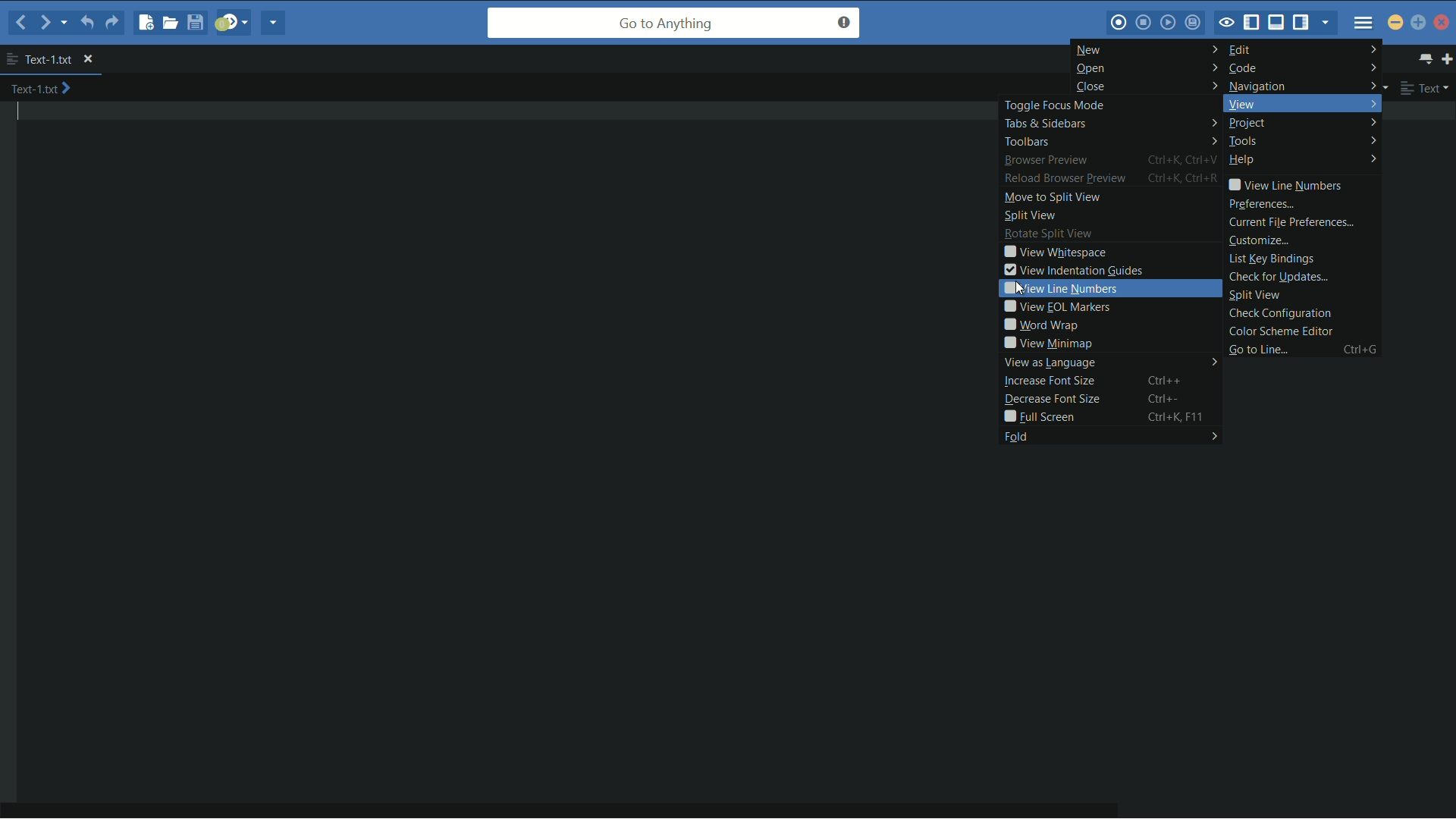 This screenshot has width=1456, height=819. Describe the element at coordinates (1145, 86) in the screenshot. I see `close` at that location.